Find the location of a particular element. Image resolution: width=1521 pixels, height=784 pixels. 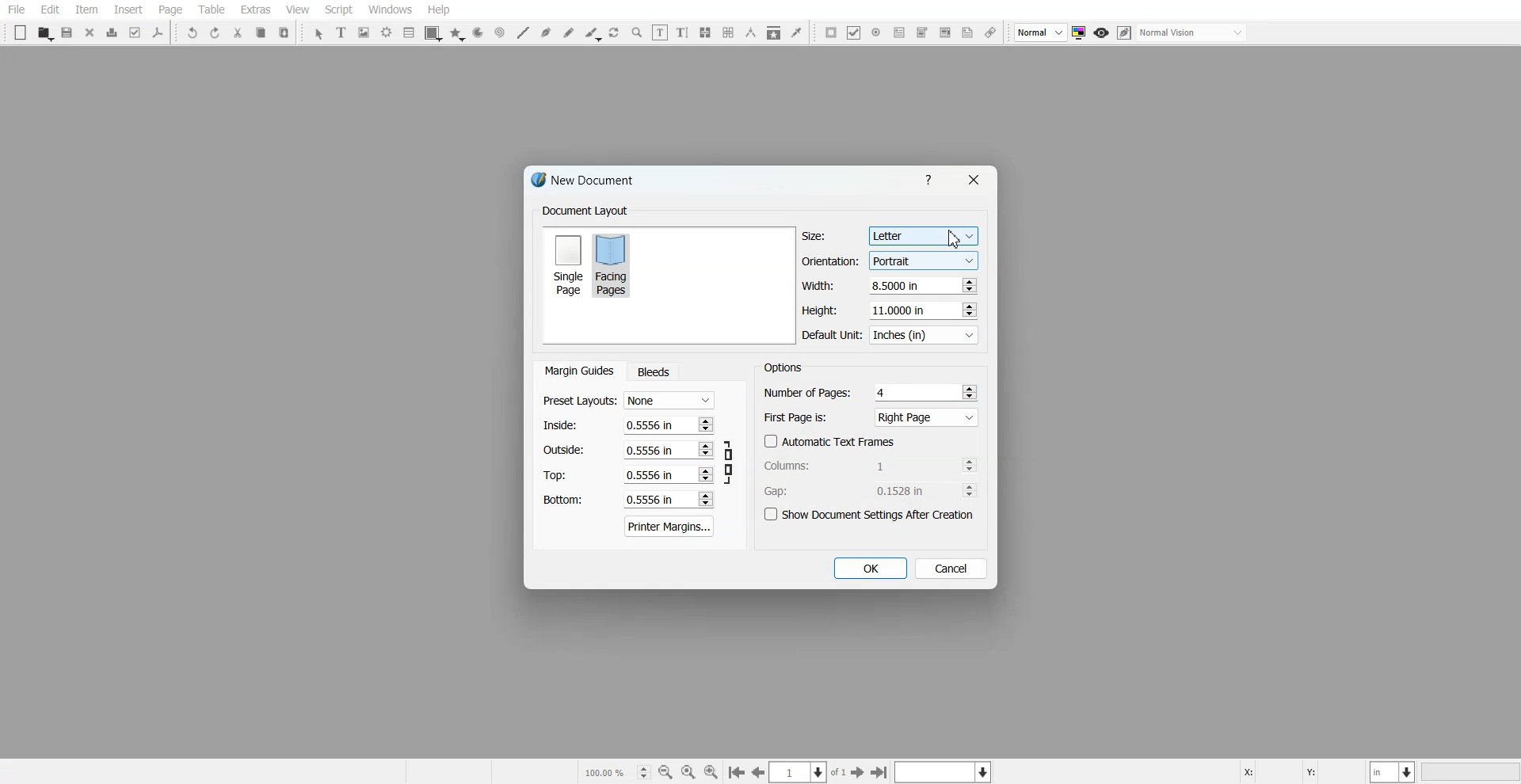

Item is located at coordinates (86, 10).